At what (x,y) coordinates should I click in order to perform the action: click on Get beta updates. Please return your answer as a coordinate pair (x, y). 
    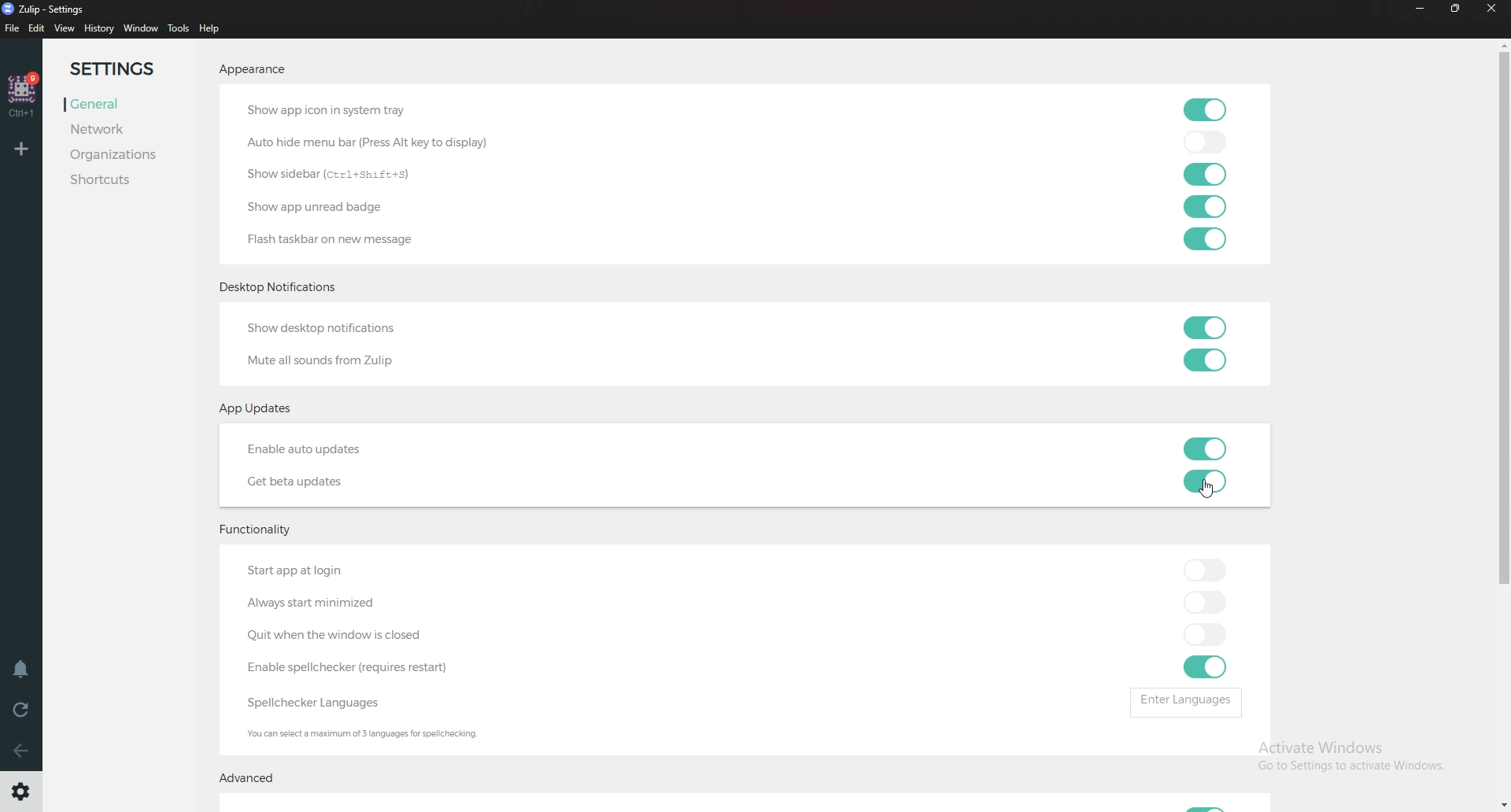
    Looking at the image, I should click on (291, 484).